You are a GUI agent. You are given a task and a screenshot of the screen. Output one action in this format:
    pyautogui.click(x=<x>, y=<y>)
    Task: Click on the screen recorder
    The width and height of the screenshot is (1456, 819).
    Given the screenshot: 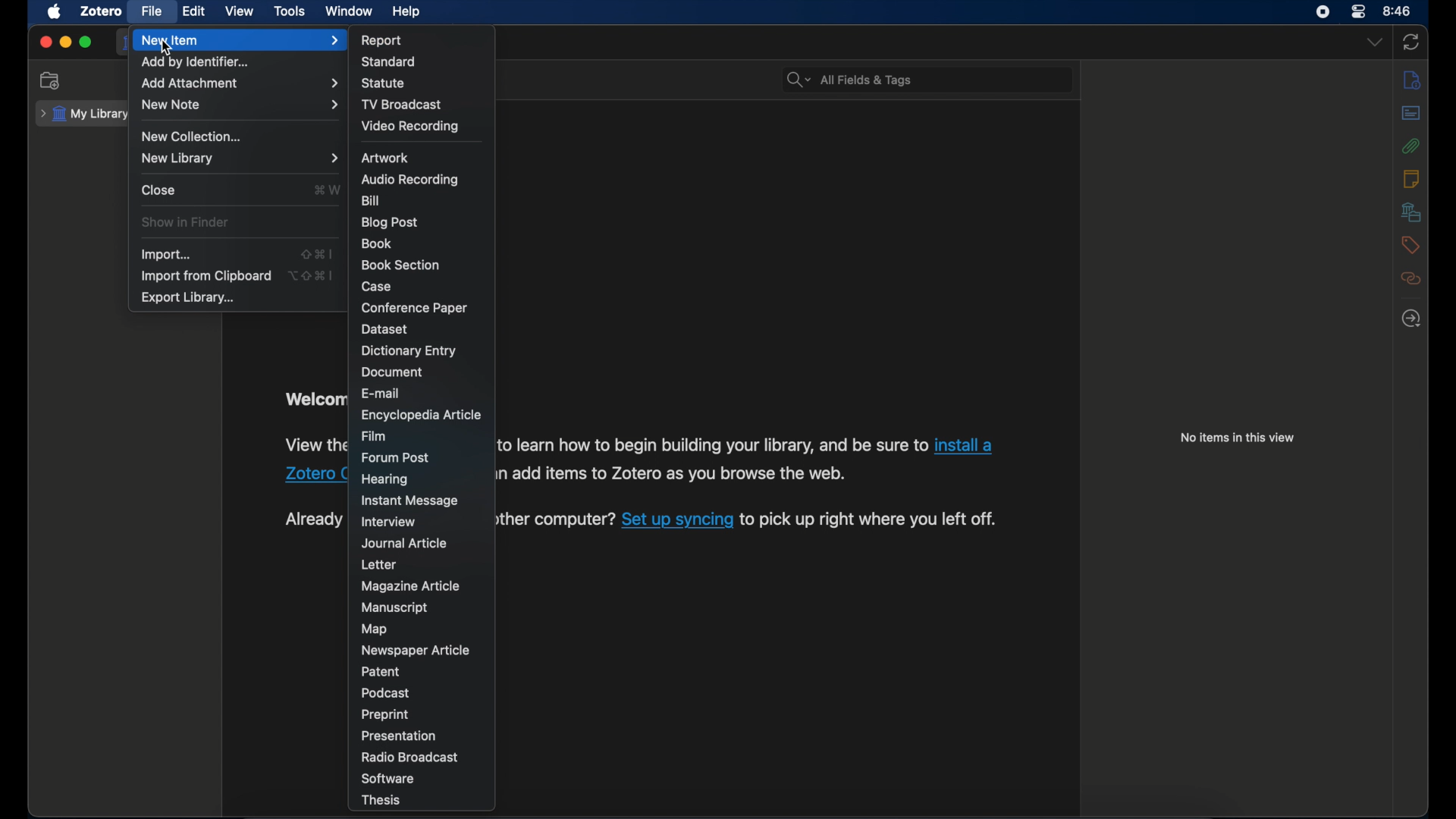 What is the action you would take?
    pyautogui.click(x=1323, y=11)
    